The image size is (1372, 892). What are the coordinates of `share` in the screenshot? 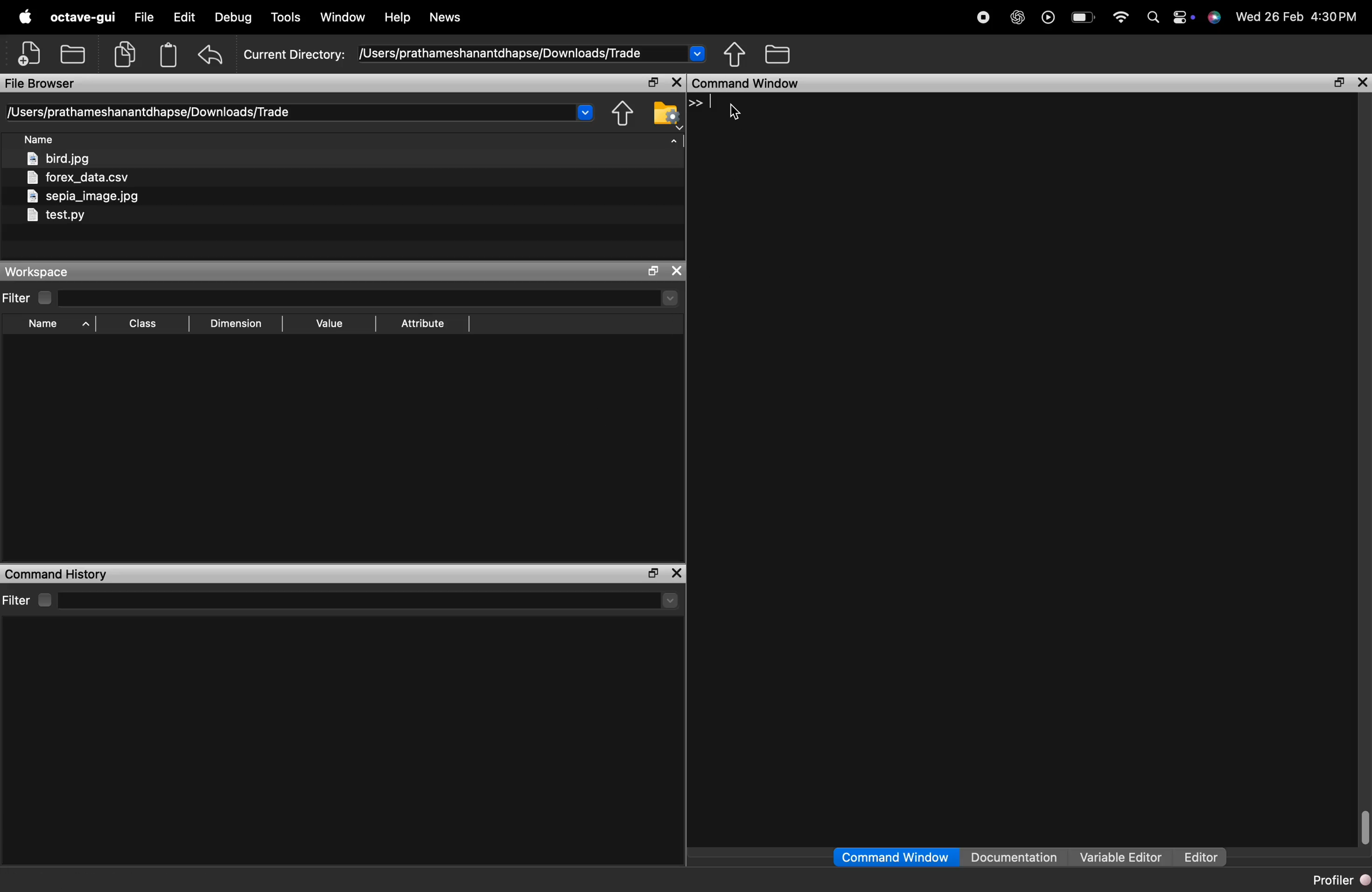 It's located at (623, 114).